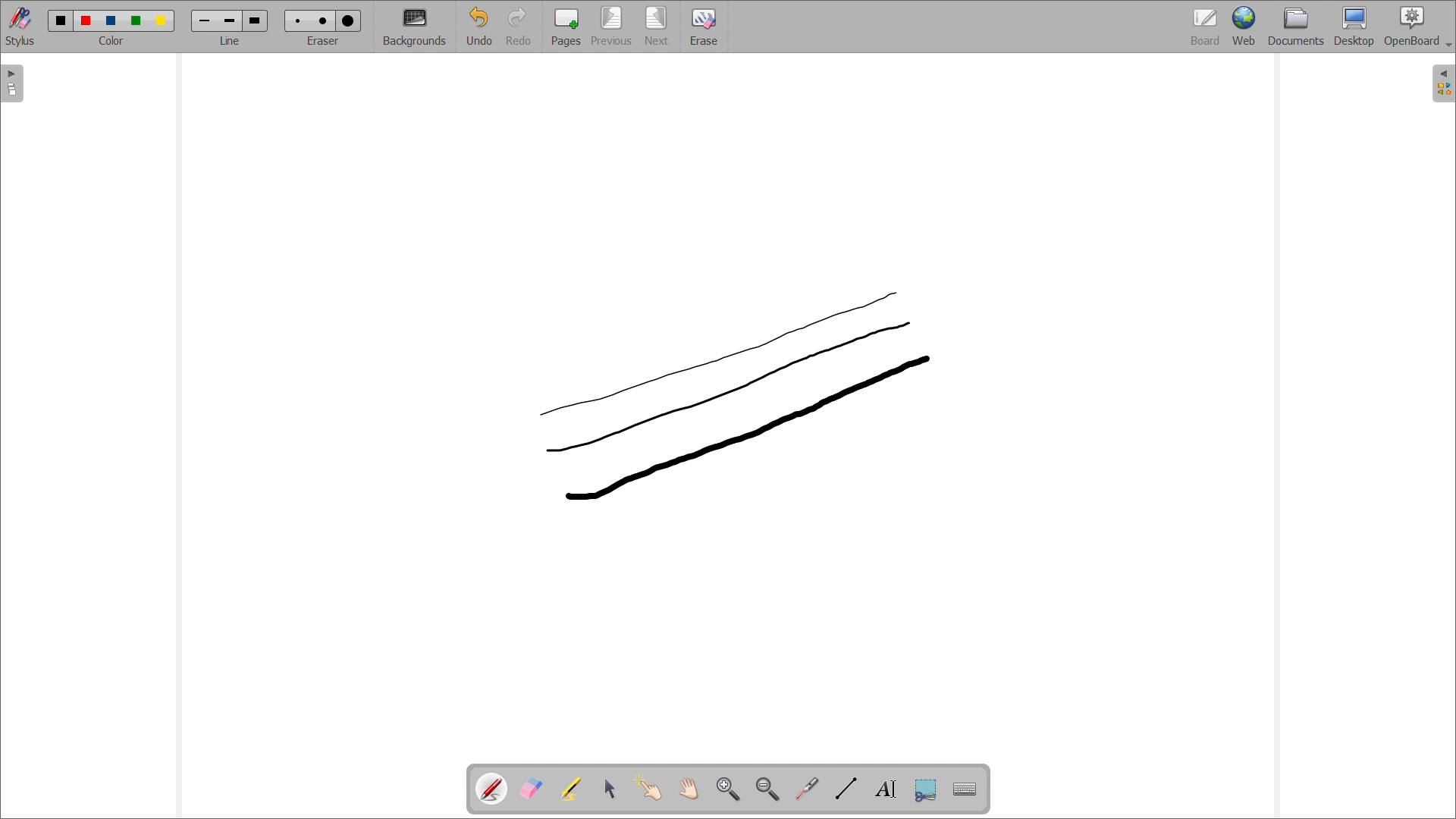 Image resolution: width=1456 pixels, height=819 pixels. What do you see at coordinates (206, 22) in the screenshot?
I see `line width size` at bounding box center [206, 22].